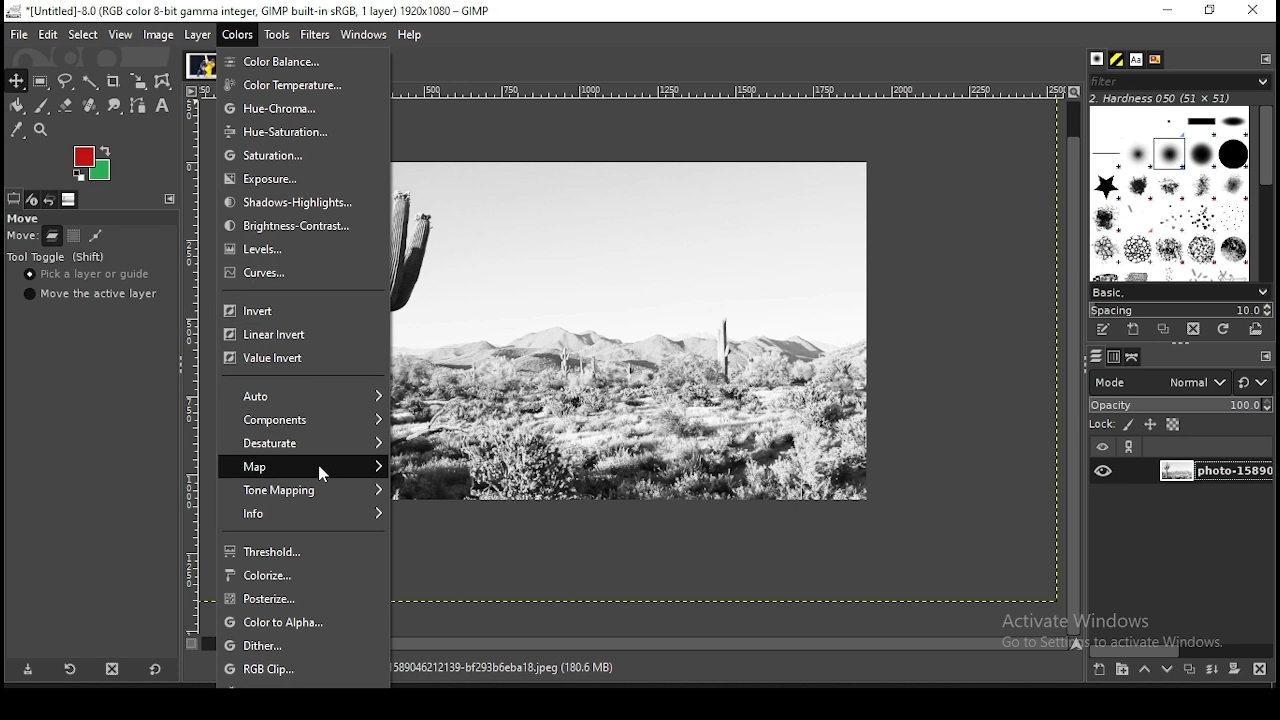 The width and height of the screenshot is (1280, 720). What do you see at coordinates (114, 80) in the screenshot?
I see `crop tool` at bounding box center [114, 80].